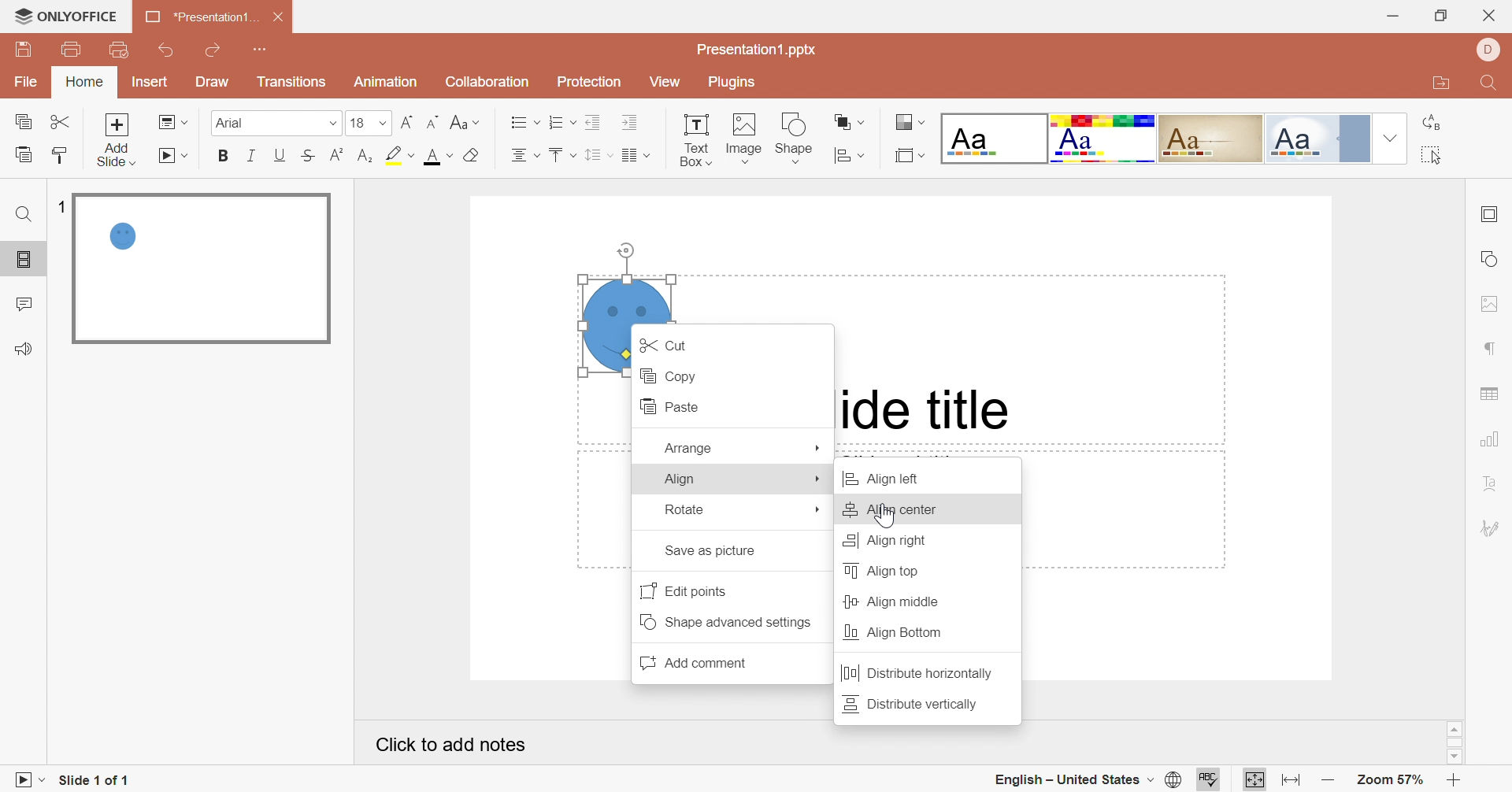 This screenshot has height=792, width=1512. Describe the element at coordinates (1493, 214) in the screenshot. I see `slide settings` at that location.